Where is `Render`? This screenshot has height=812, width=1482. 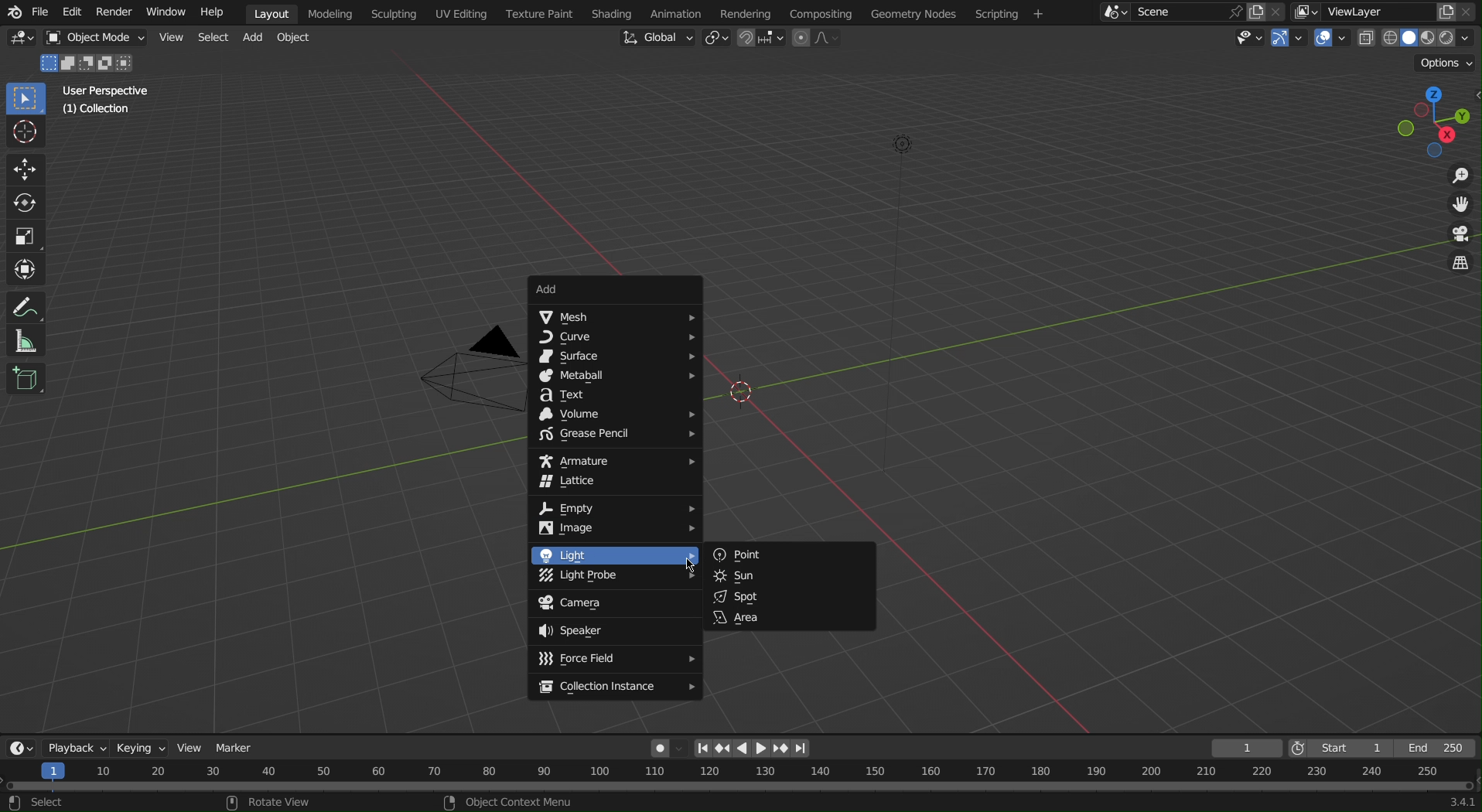 Render is located at coordinates (111, 12).